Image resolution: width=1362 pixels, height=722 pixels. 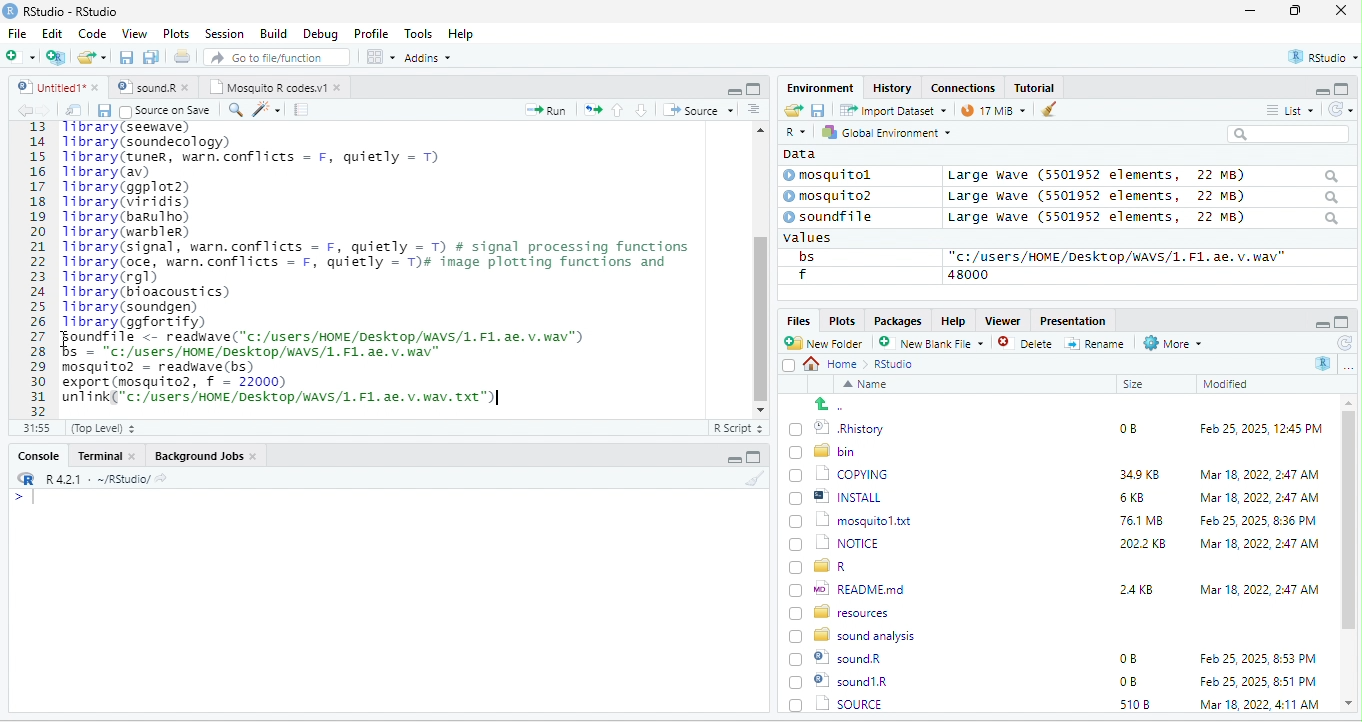 What do you see at coordinates (40, 268) in the screenshot?
I see `line number` at bounding box center [40, 268].